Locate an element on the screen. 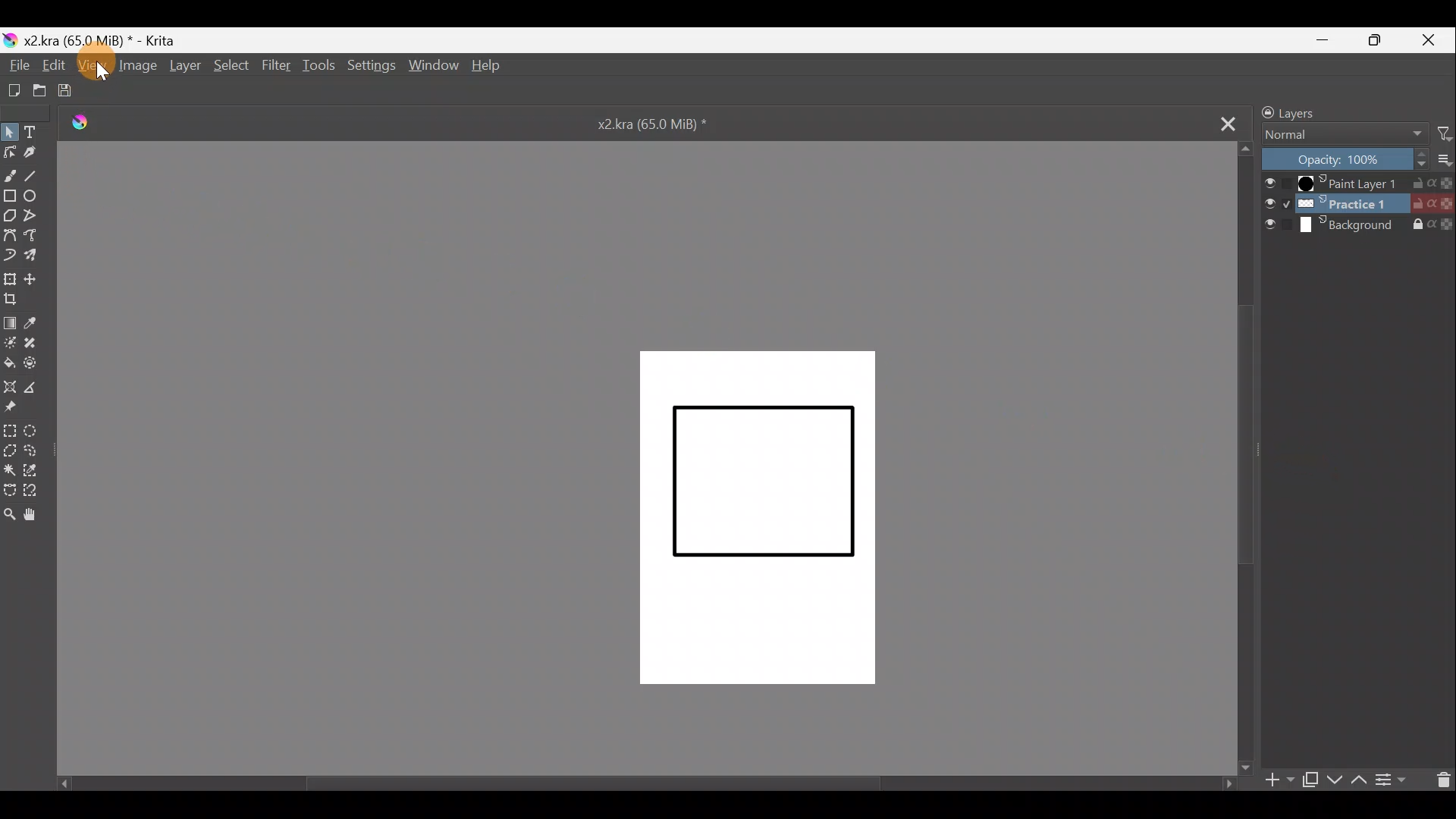 Image resolution: width=1456 pixels, height=819 pixels. Select shapes tool is located at coordinates (11, 131).